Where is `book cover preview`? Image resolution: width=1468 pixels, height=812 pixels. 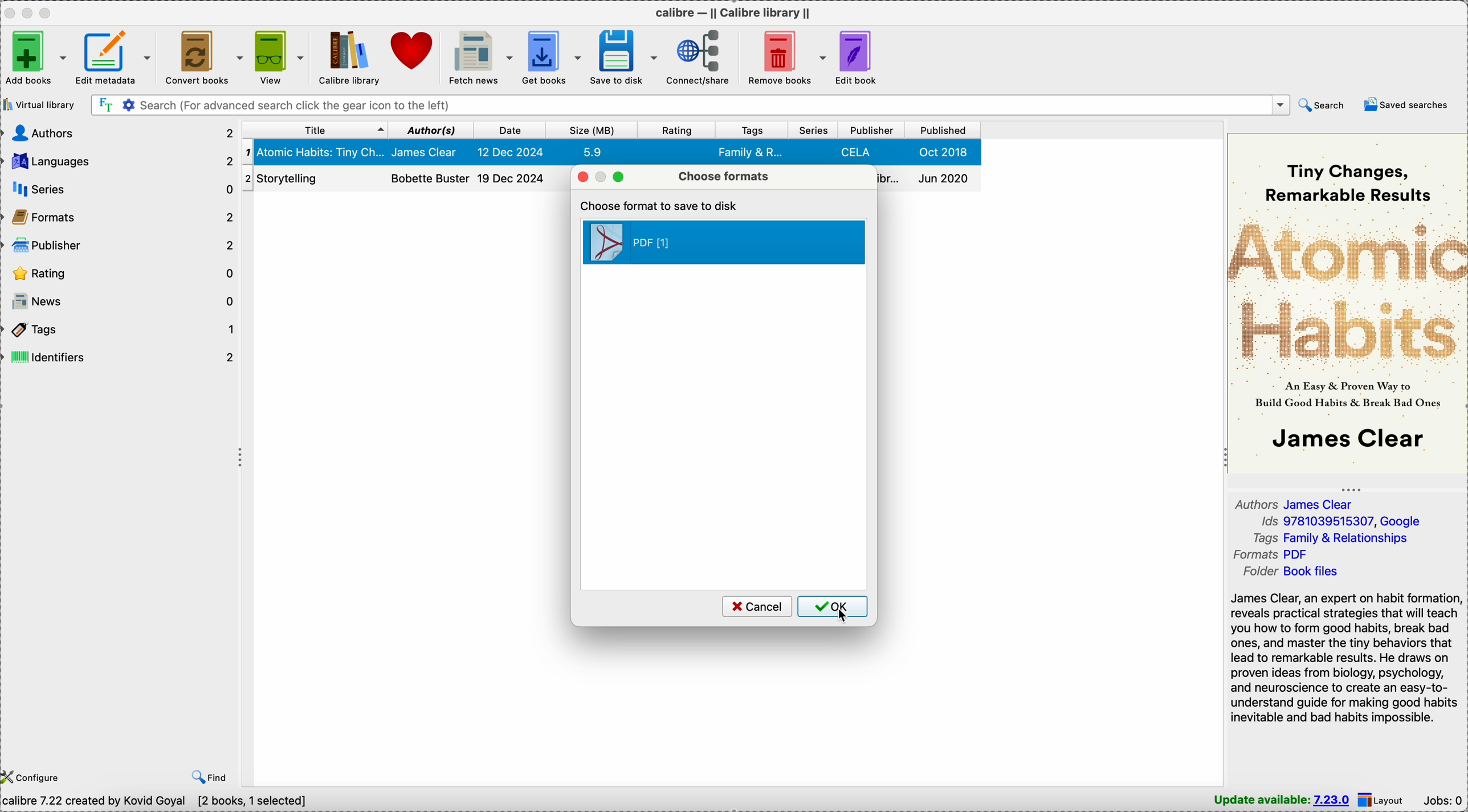 book cover preview is located at coordinates (1346, 303).